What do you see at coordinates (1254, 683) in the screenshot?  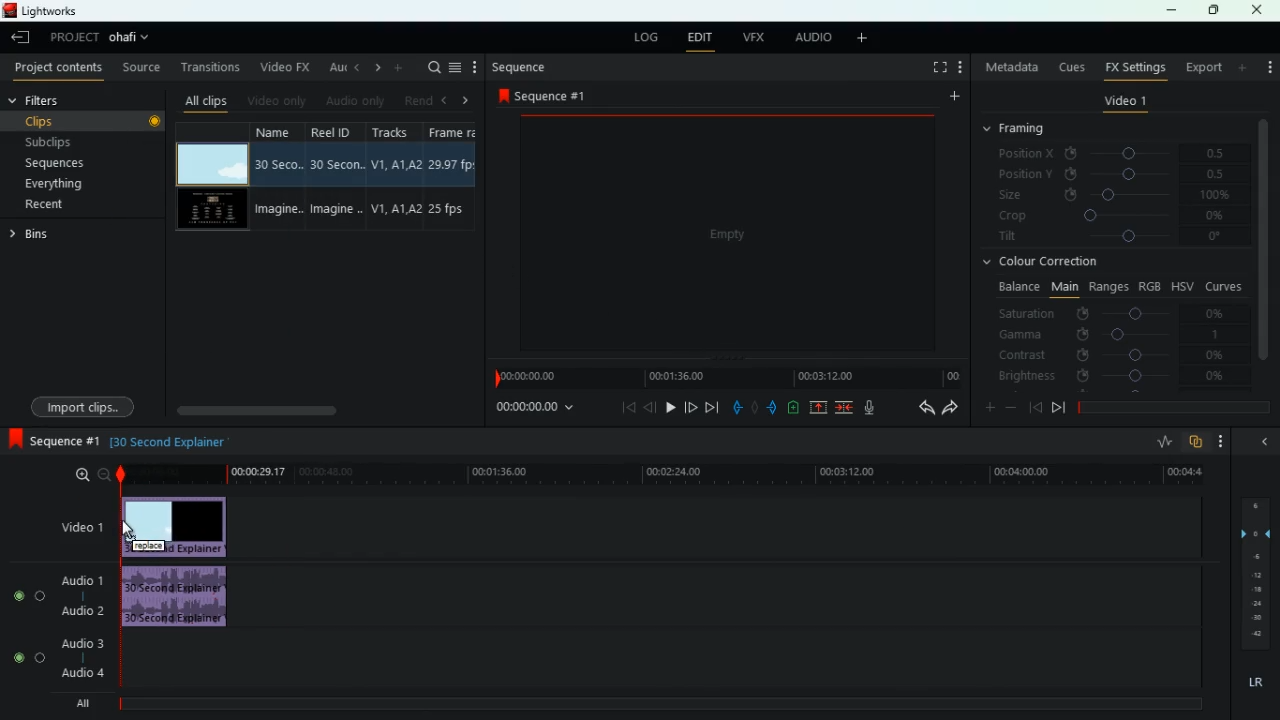 I see `lr` at bounding box center [1254, 683].